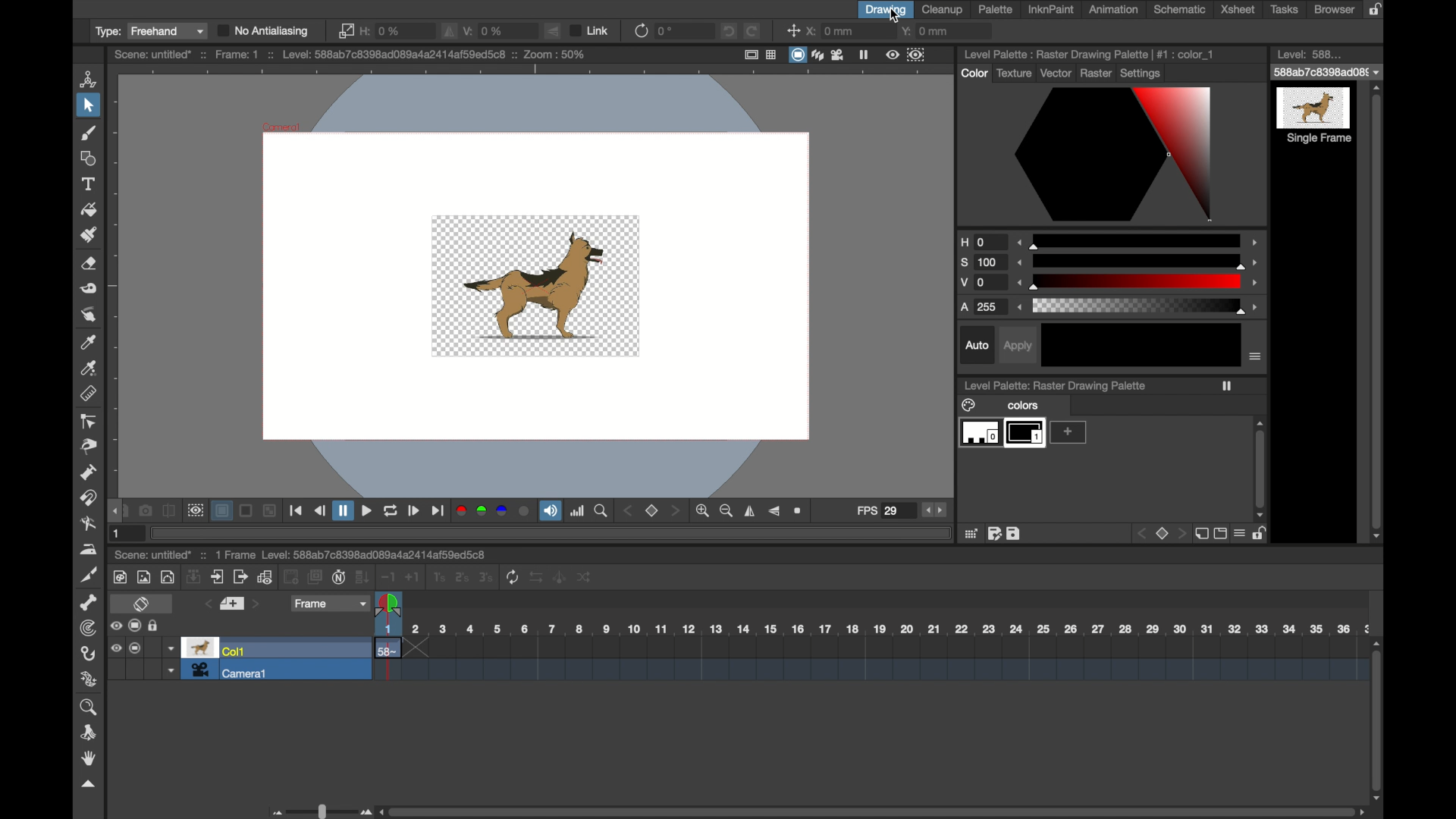 The width and height of the screenshot is (1456, 819). I want to click on H, so click(981, 242).